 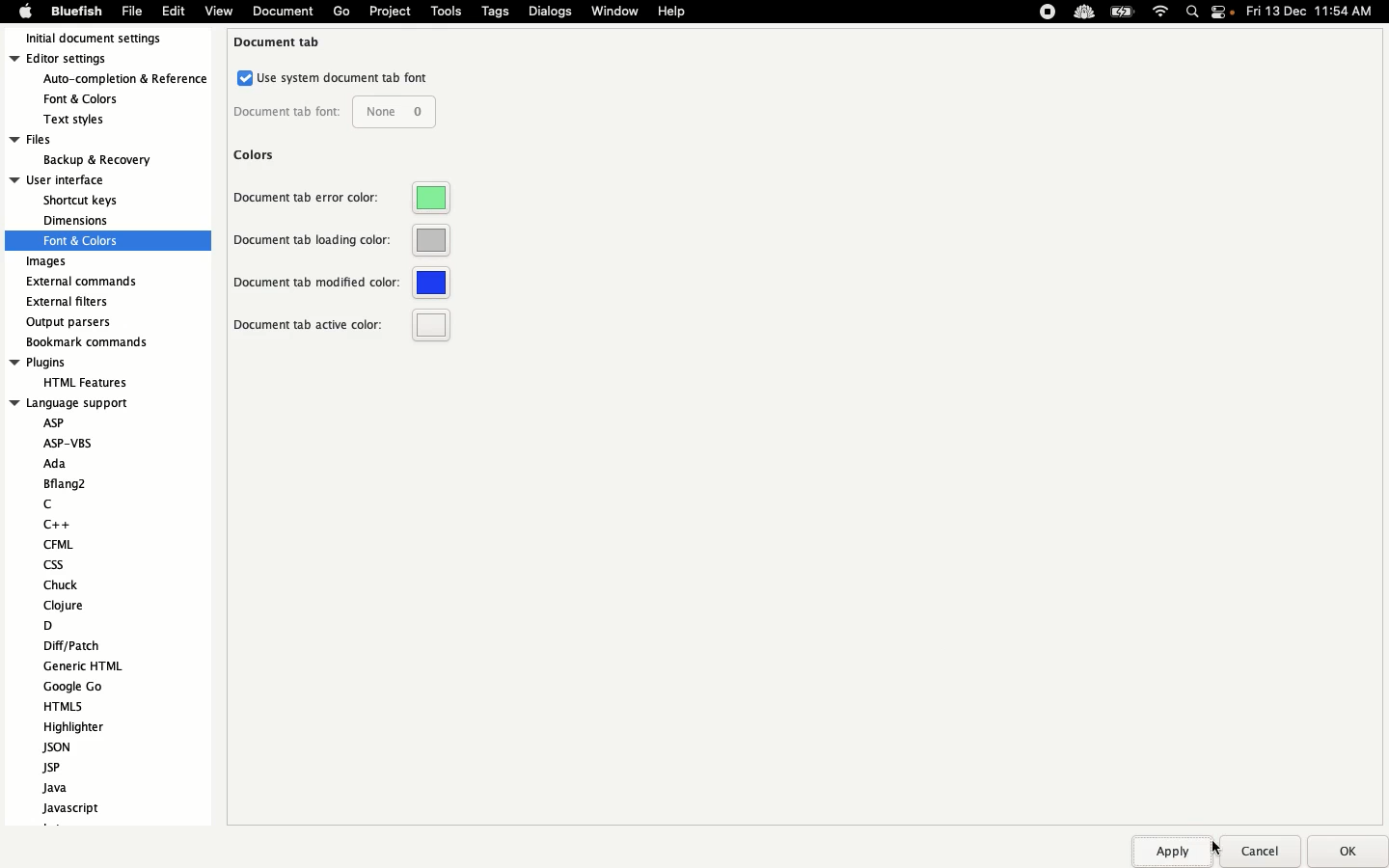 What do you see at coordinates (672, 11) in the screenshot?
I see `Help` at bounding box center [672, 11].